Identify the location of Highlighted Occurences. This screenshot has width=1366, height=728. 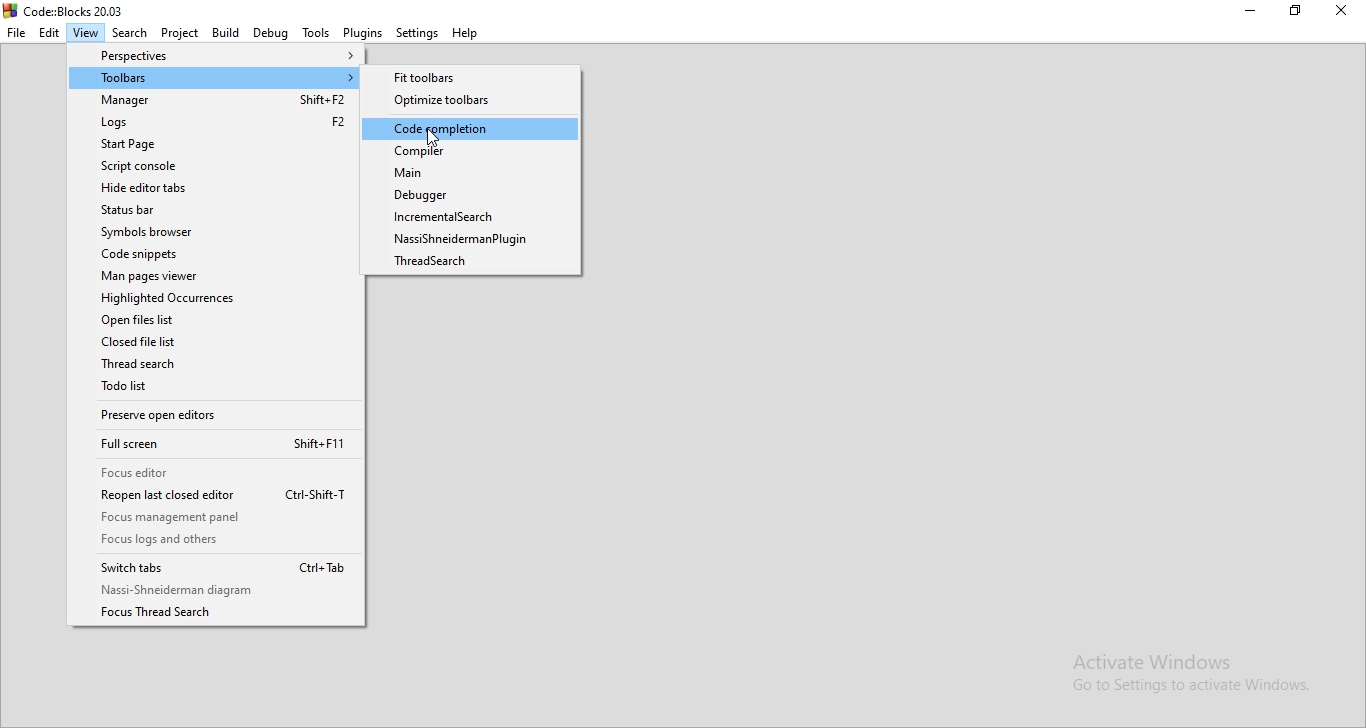
(218, 297).